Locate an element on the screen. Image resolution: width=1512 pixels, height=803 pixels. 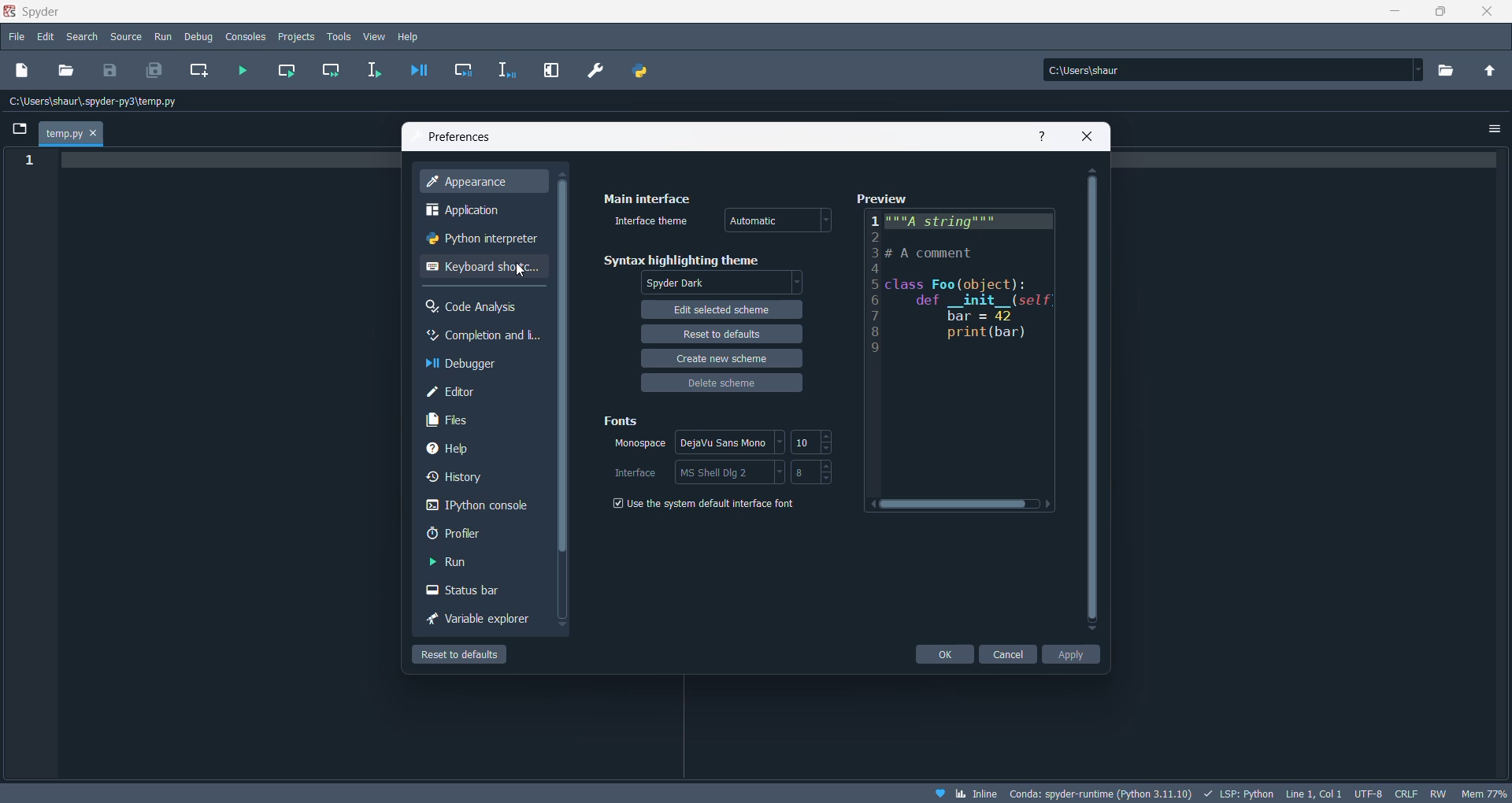
run selection is located at coordinates (369, 72).